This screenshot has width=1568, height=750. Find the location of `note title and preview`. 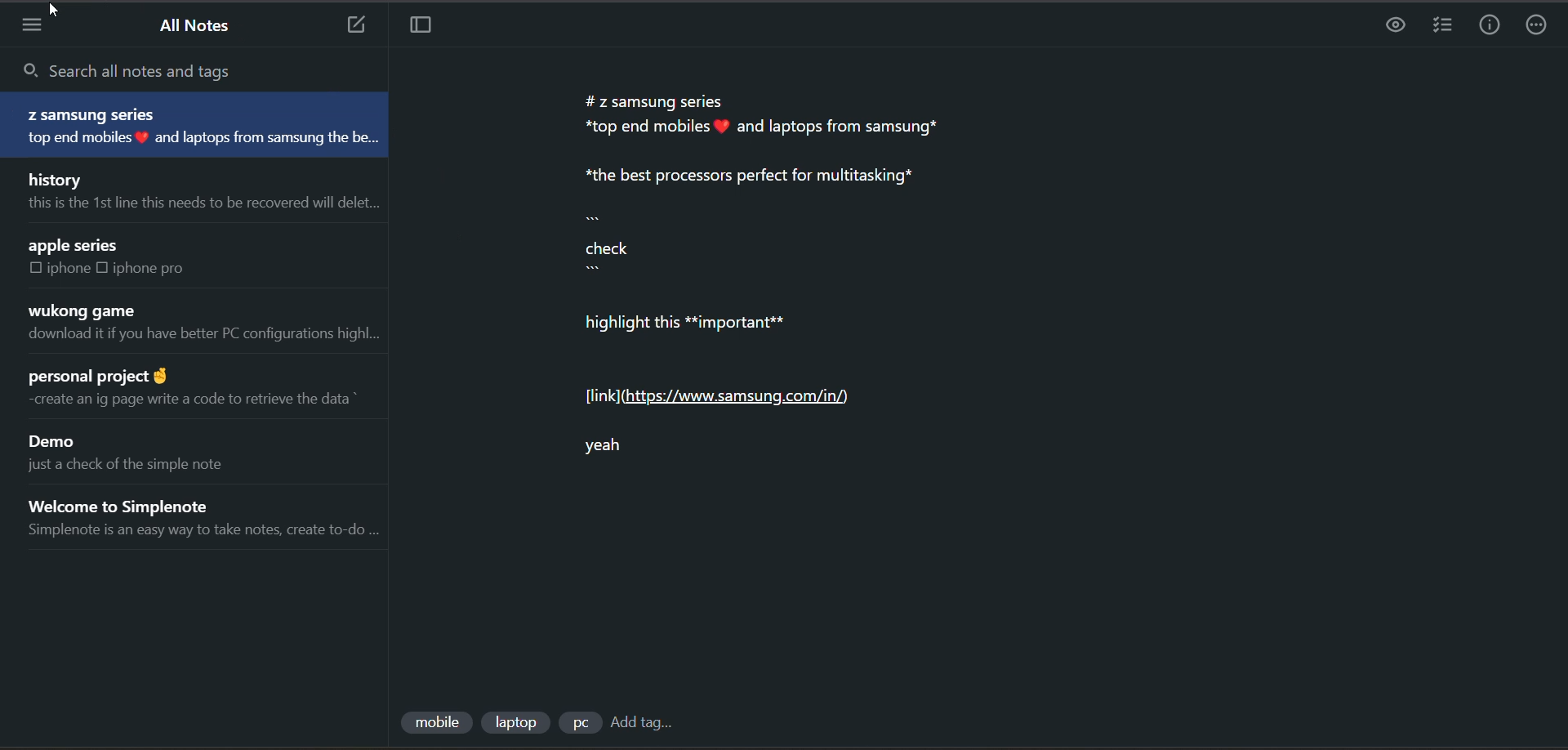

note title and preview is located at coordinates (131, 453).